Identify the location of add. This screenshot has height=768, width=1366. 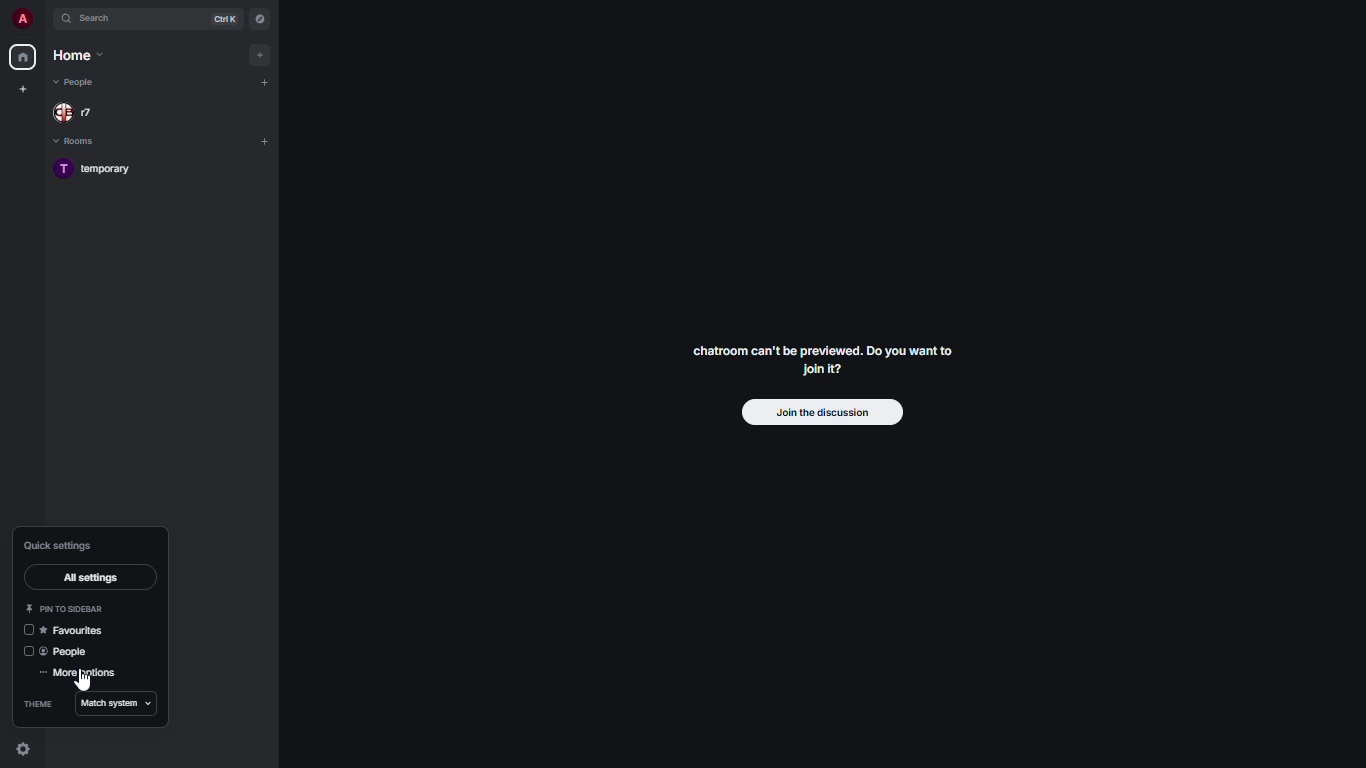
(263, 54).